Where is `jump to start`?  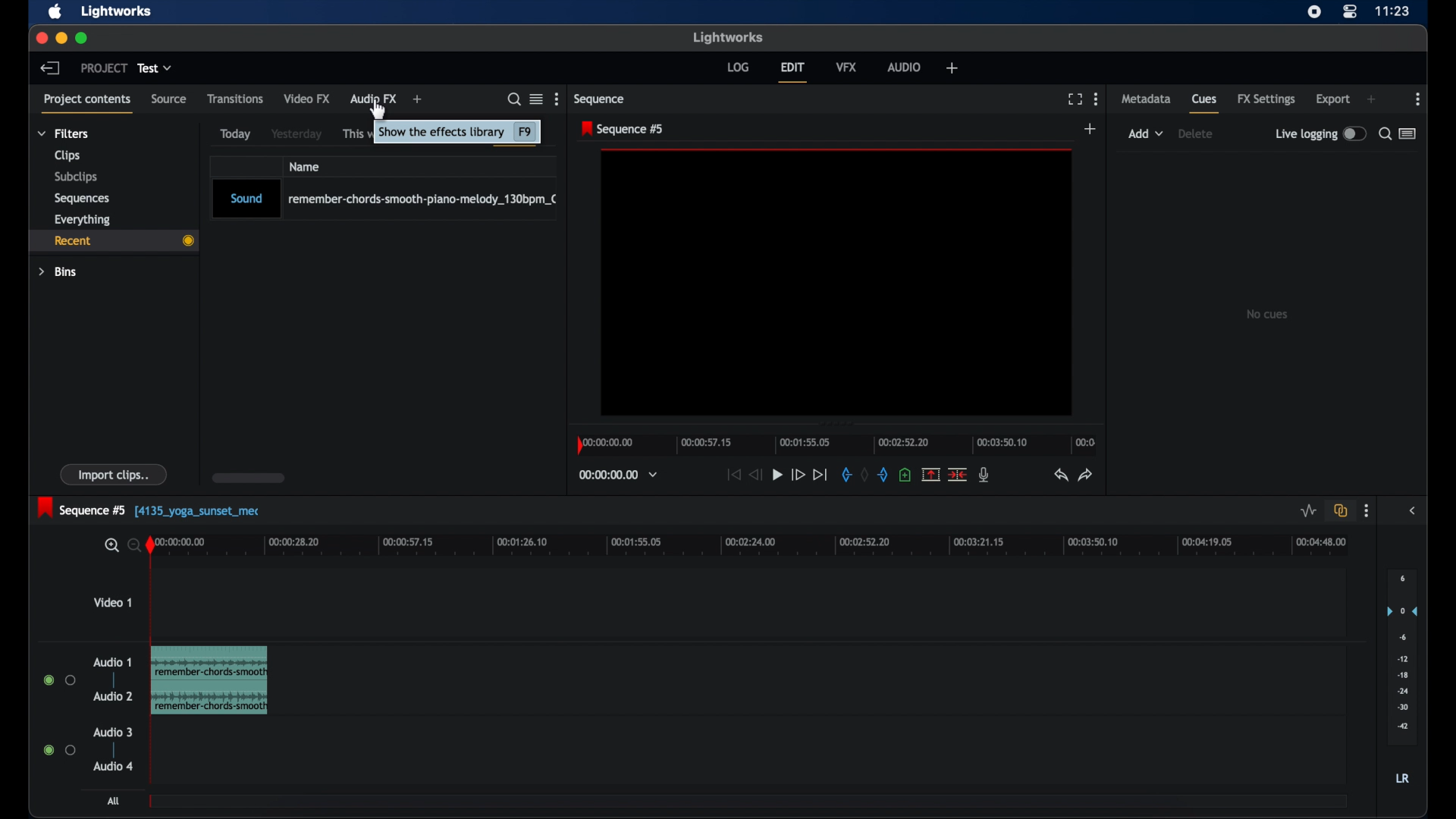
jump to start is located at coordinates (733, 475).